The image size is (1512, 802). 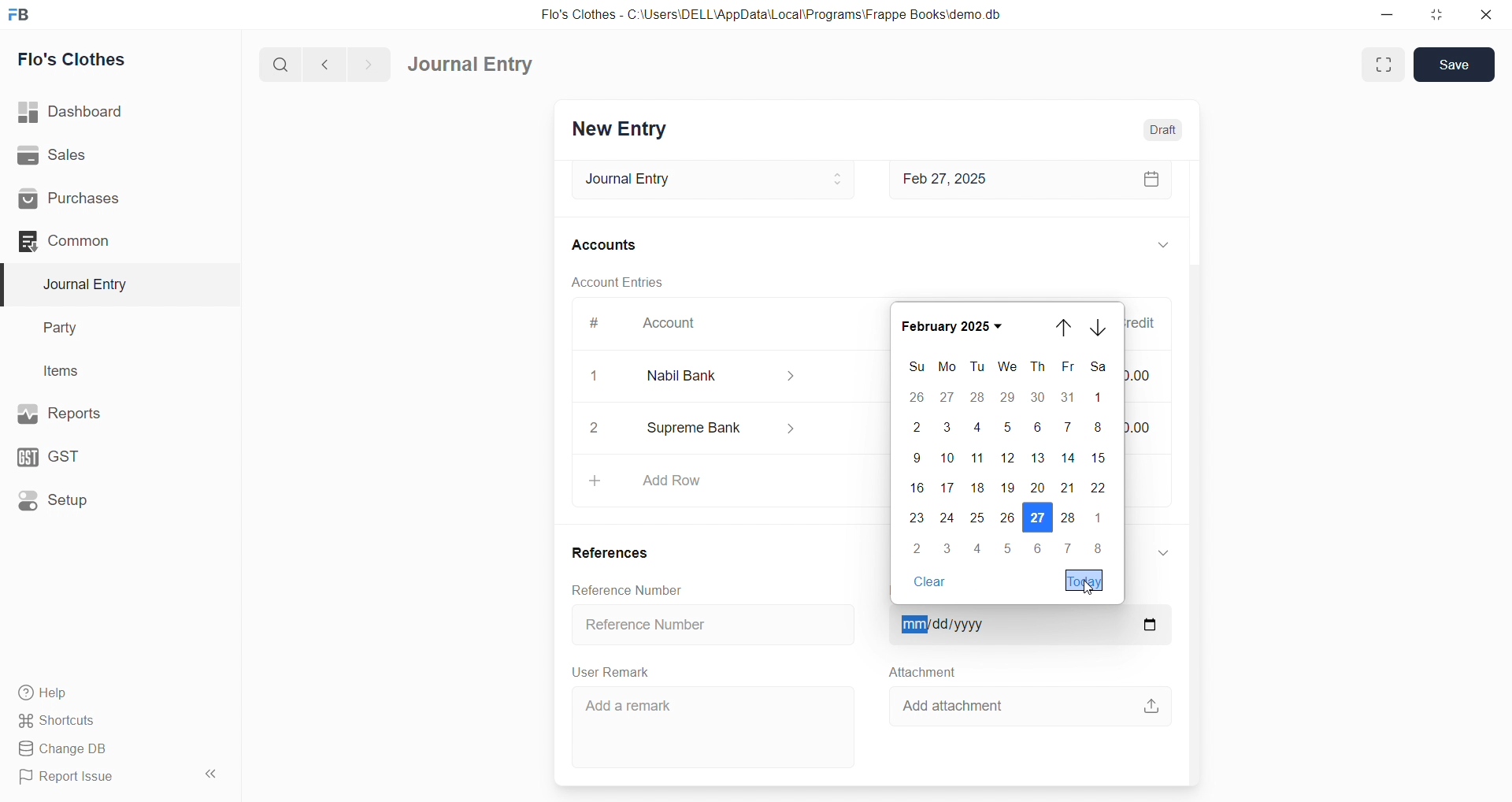 What do you see at coordinates (978, 488) in the screenshot?
I see `18` at bounding box center [978, 488].